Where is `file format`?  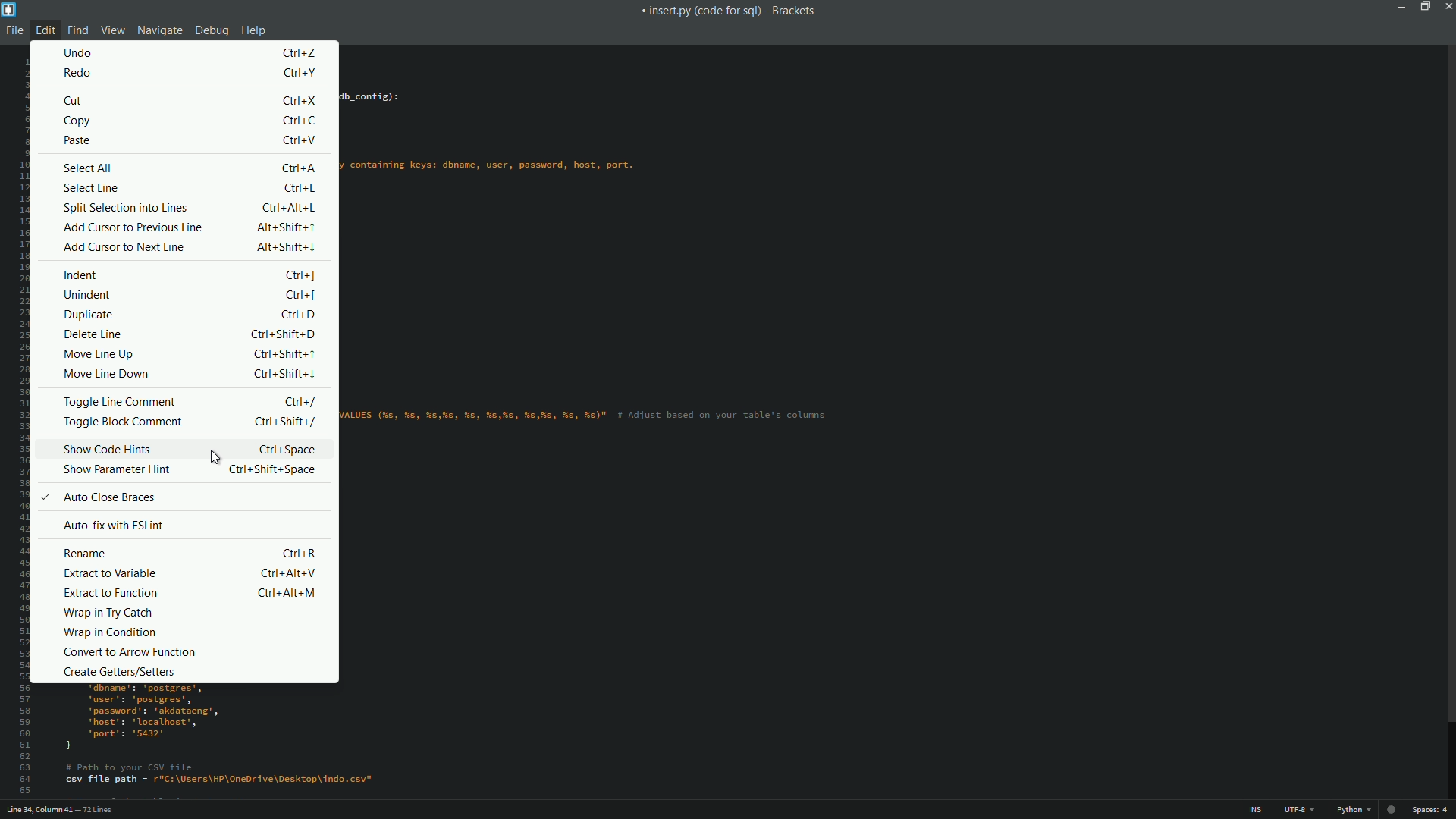
file format is located at coordinates (1357, 810).